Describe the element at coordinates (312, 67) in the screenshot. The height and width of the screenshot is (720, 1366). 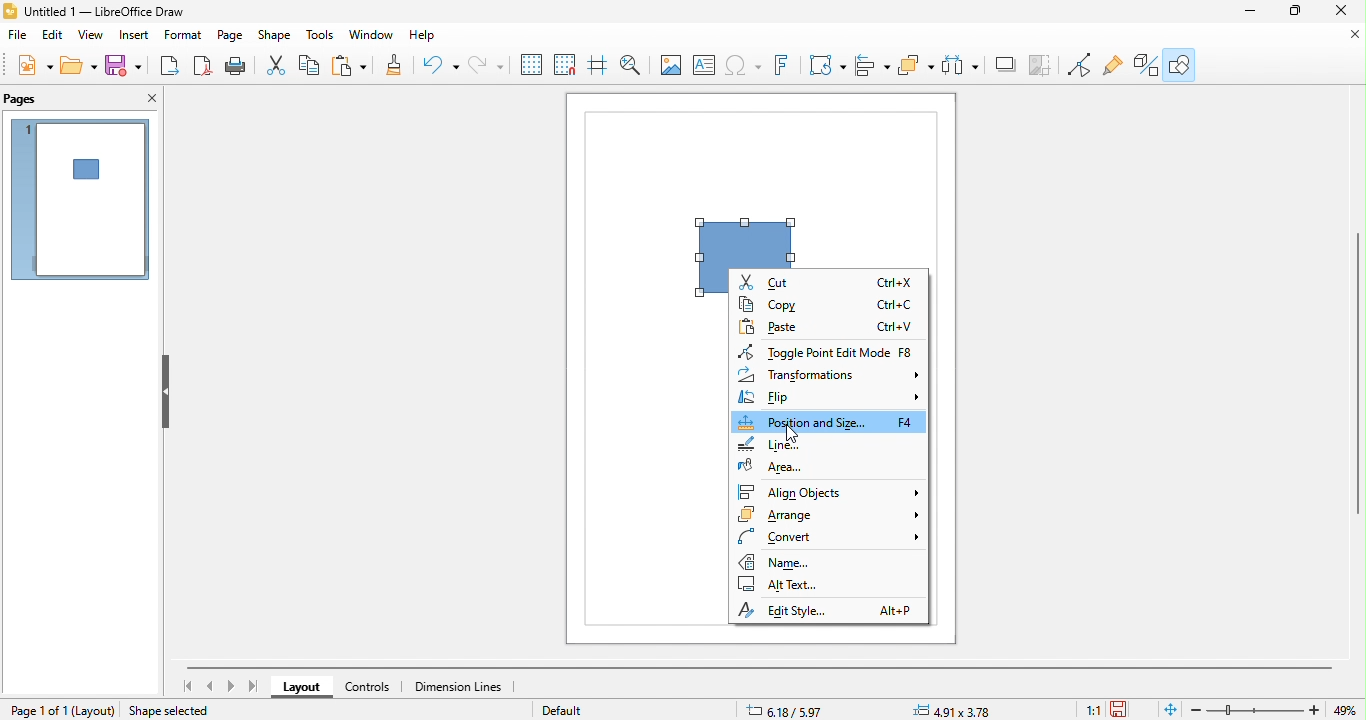
I see `copy` at that location.